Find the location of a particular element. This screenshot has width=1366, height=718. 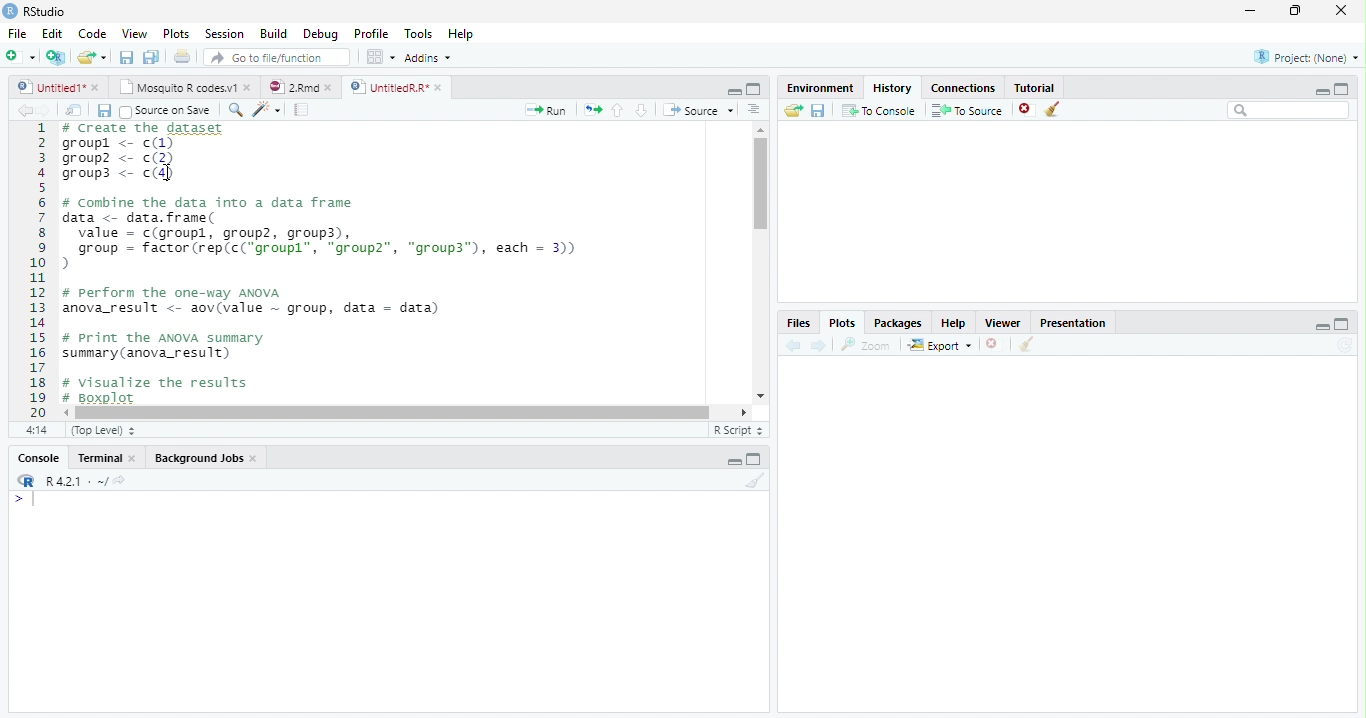

Maximize is located at coordinates (755, 461).